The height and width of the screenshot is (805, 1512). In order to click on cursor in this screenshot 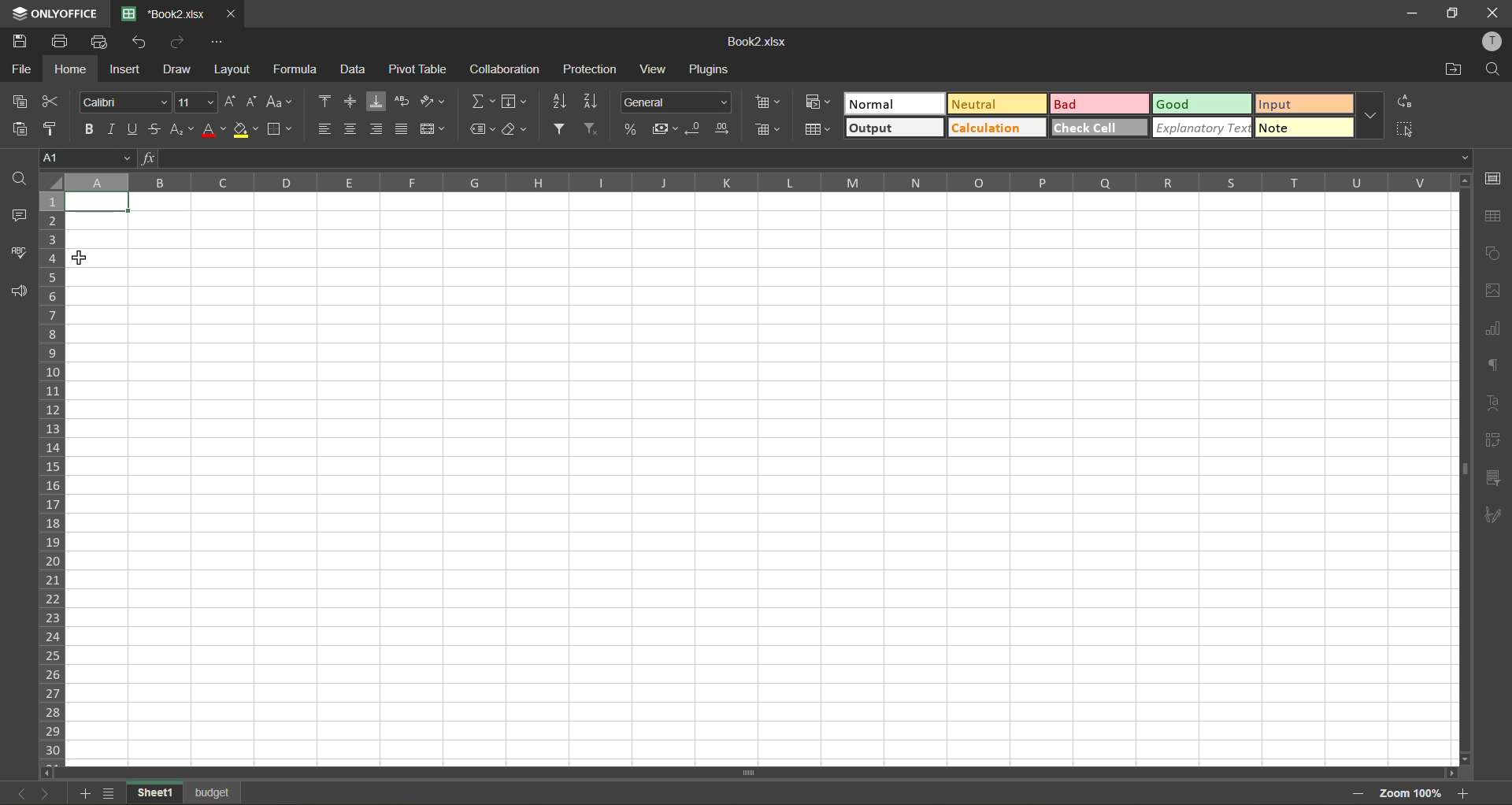, I will do `click(80, 259)`.